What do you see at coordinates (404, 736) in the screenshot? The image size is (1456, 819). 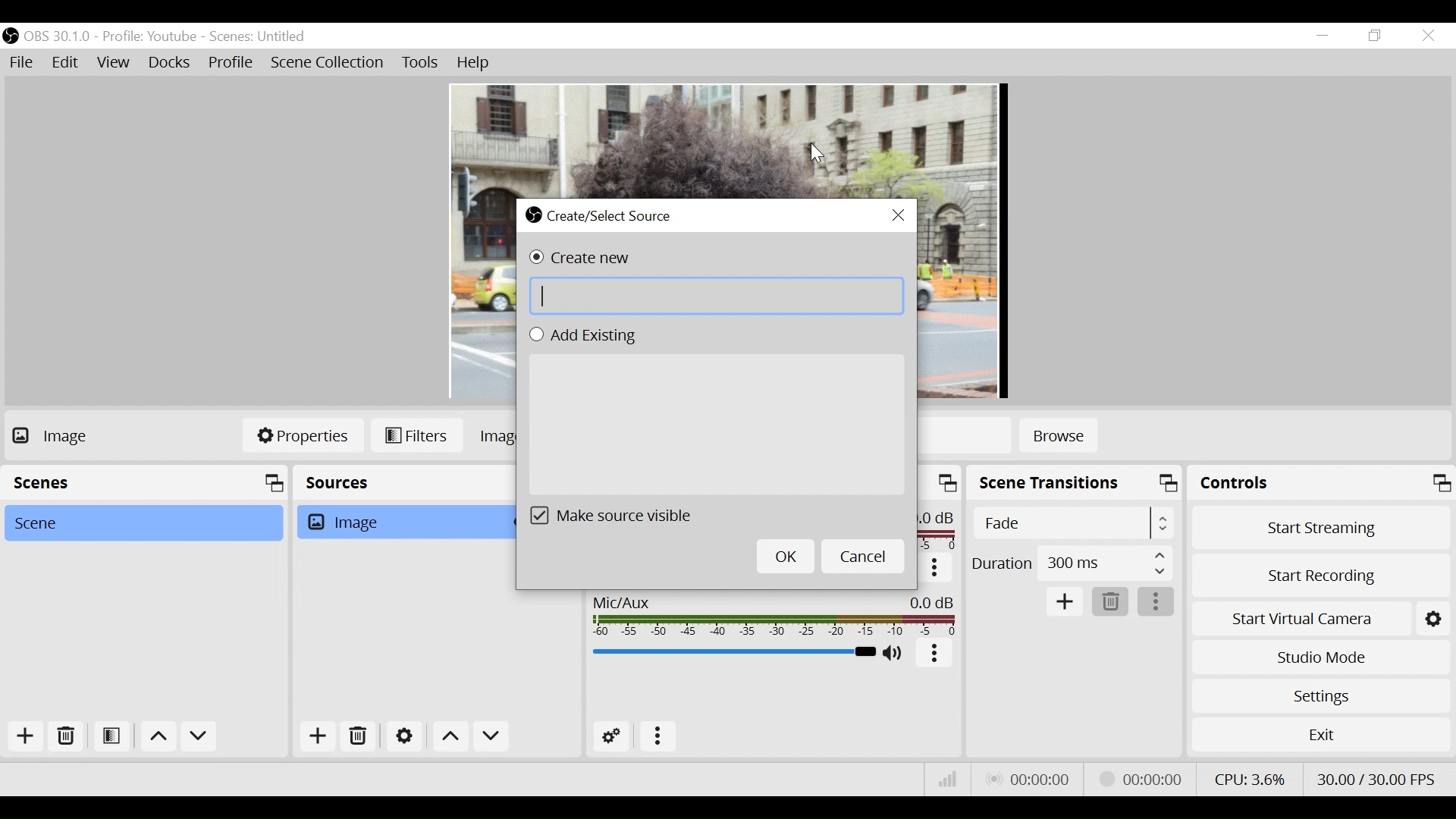 I see `Settings` at bounding box center [404, 736].